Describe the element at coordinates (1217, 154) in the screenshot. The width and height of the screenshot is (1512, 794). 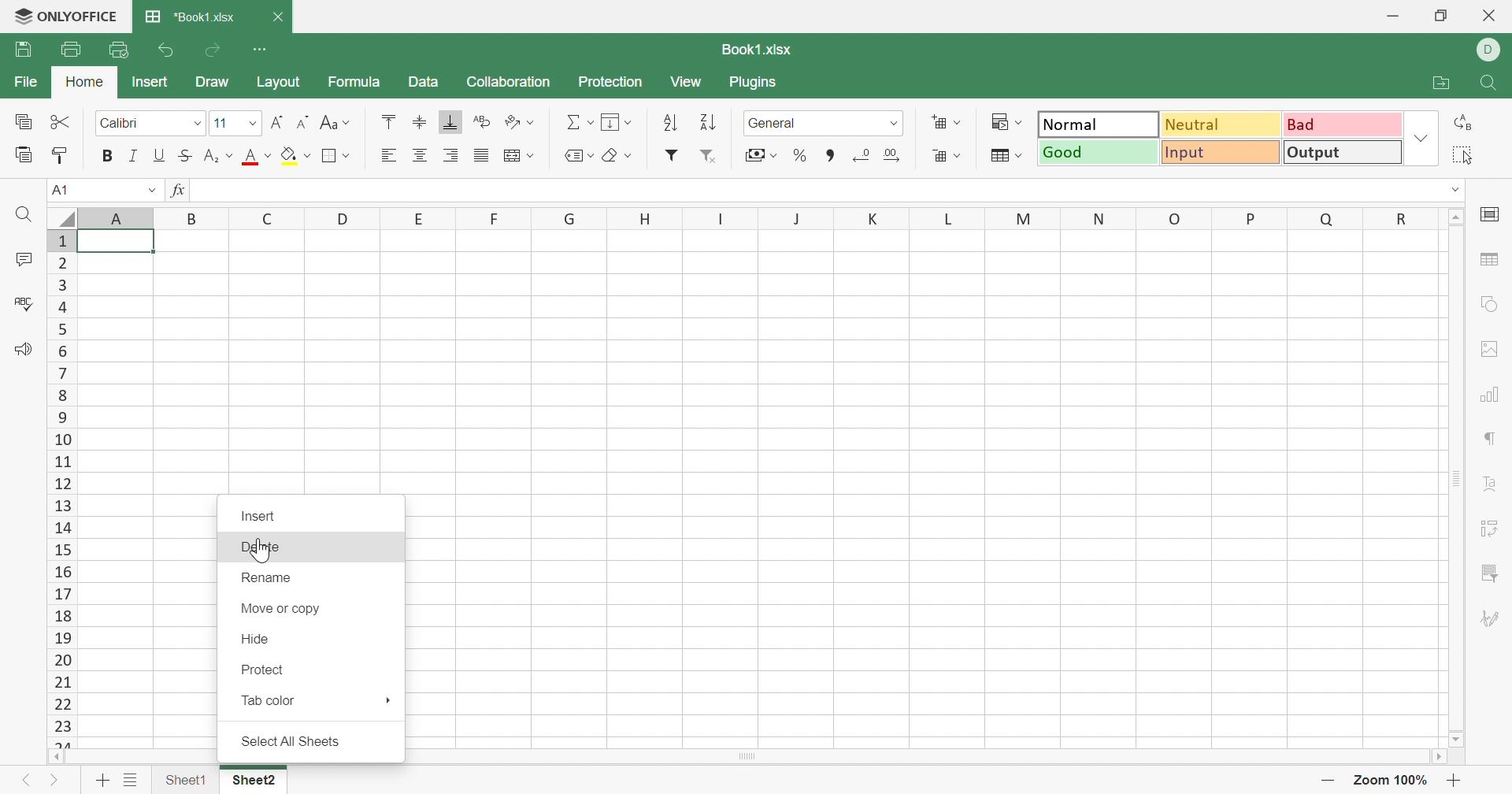
I see `Input` at that location.